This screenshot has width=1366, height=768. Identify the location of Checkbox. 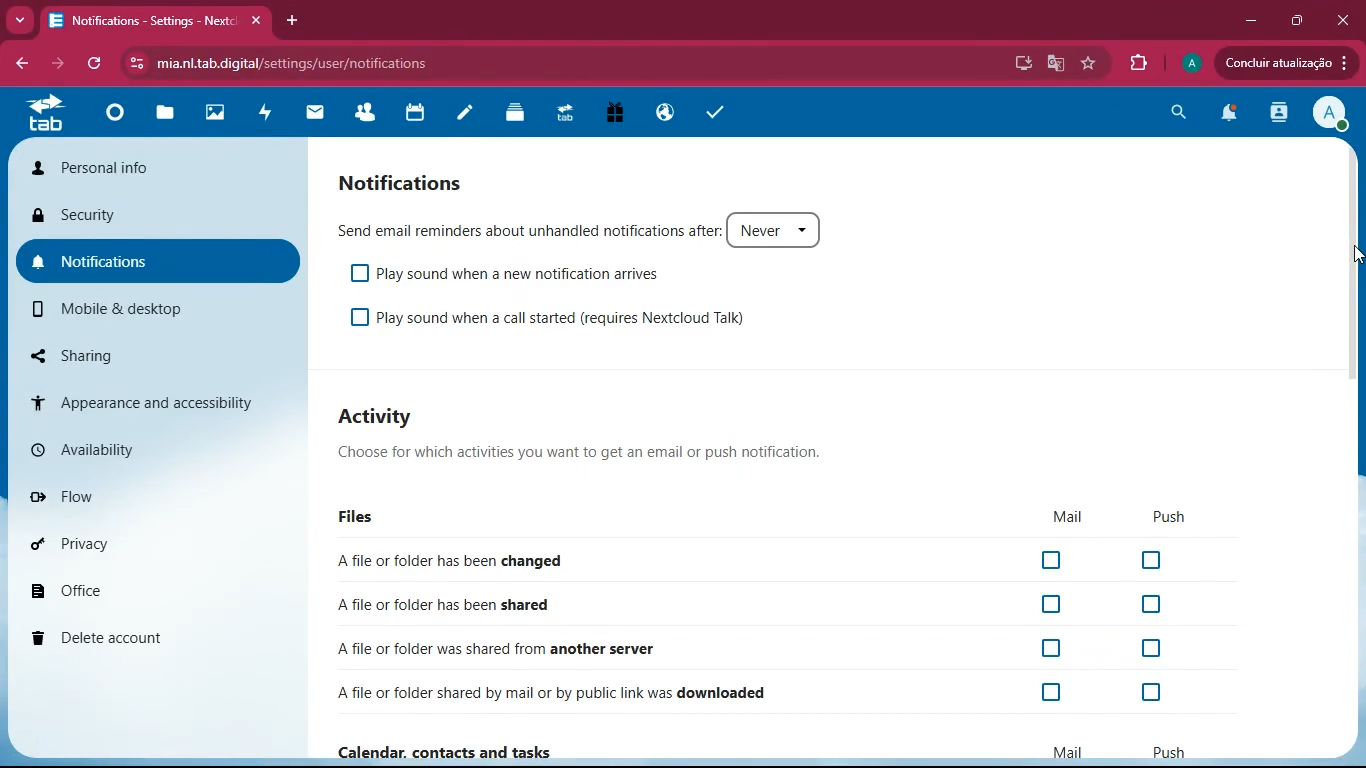
(1150, 693).